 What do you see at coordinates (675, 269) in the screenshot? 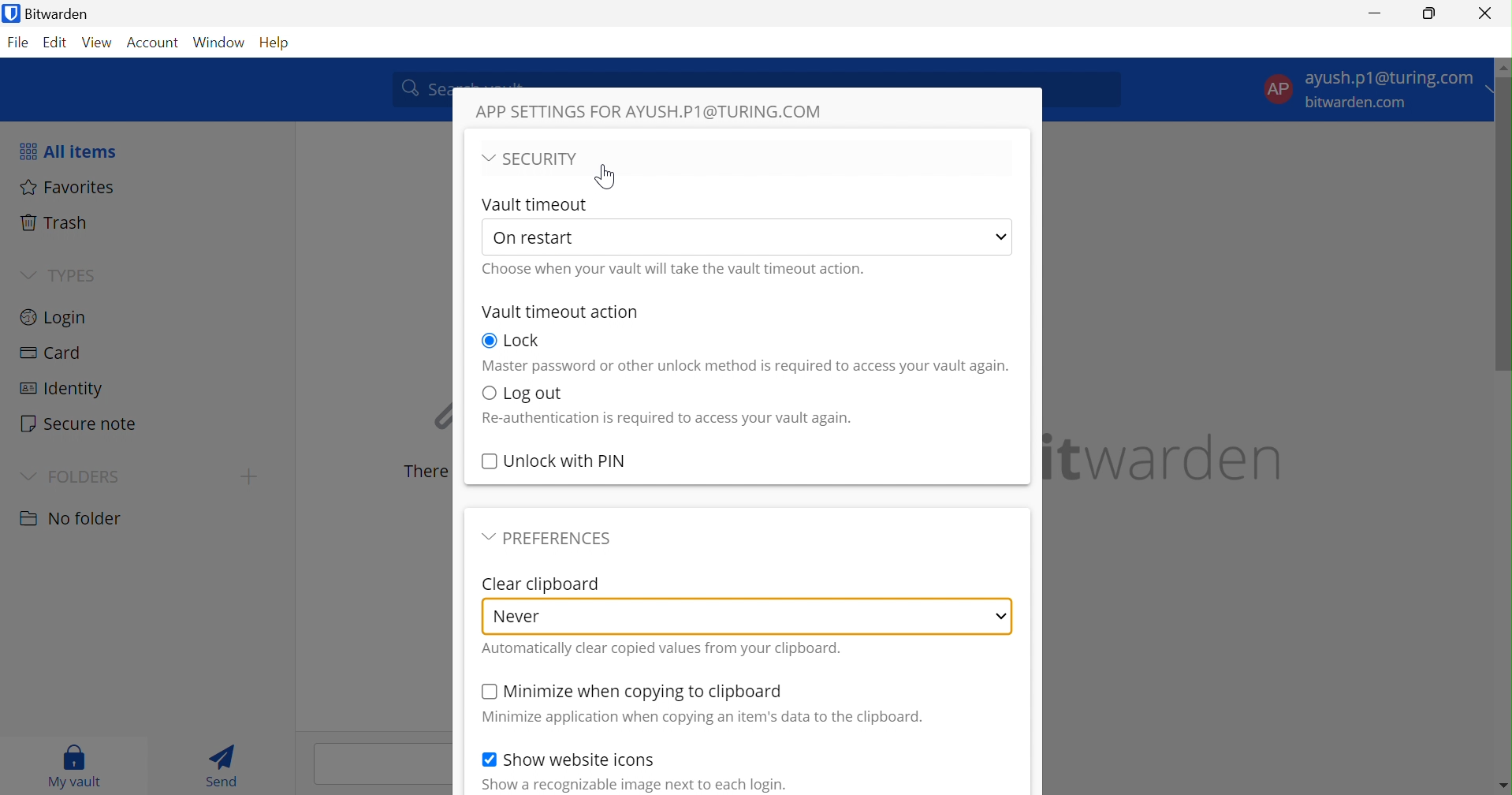
I see `Choose when your vault will take the vault timeout action.` at bounding box center [675, 269].